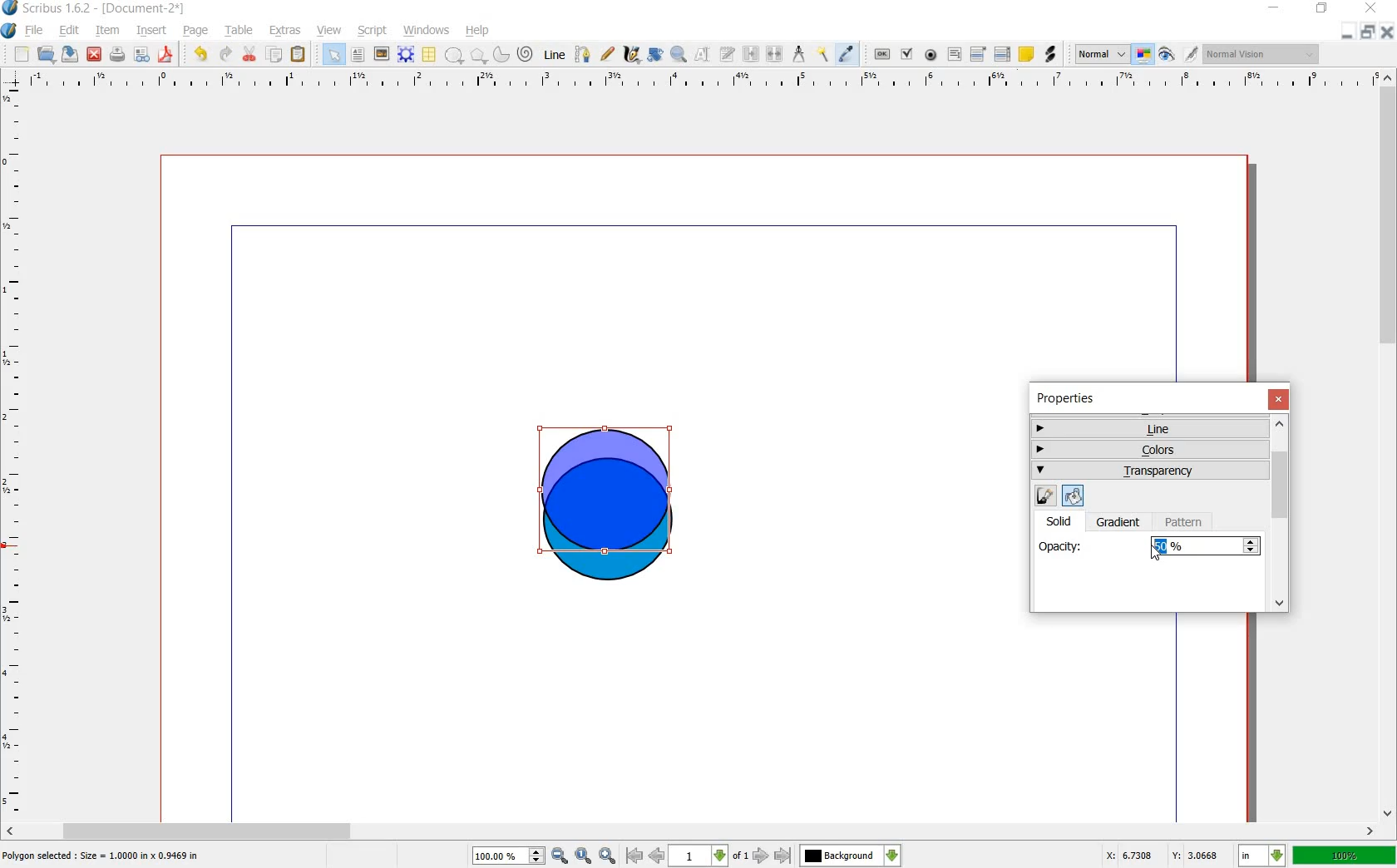 The image size is (1397, 868). I want to click on pdf radio button, so click(930, 55).